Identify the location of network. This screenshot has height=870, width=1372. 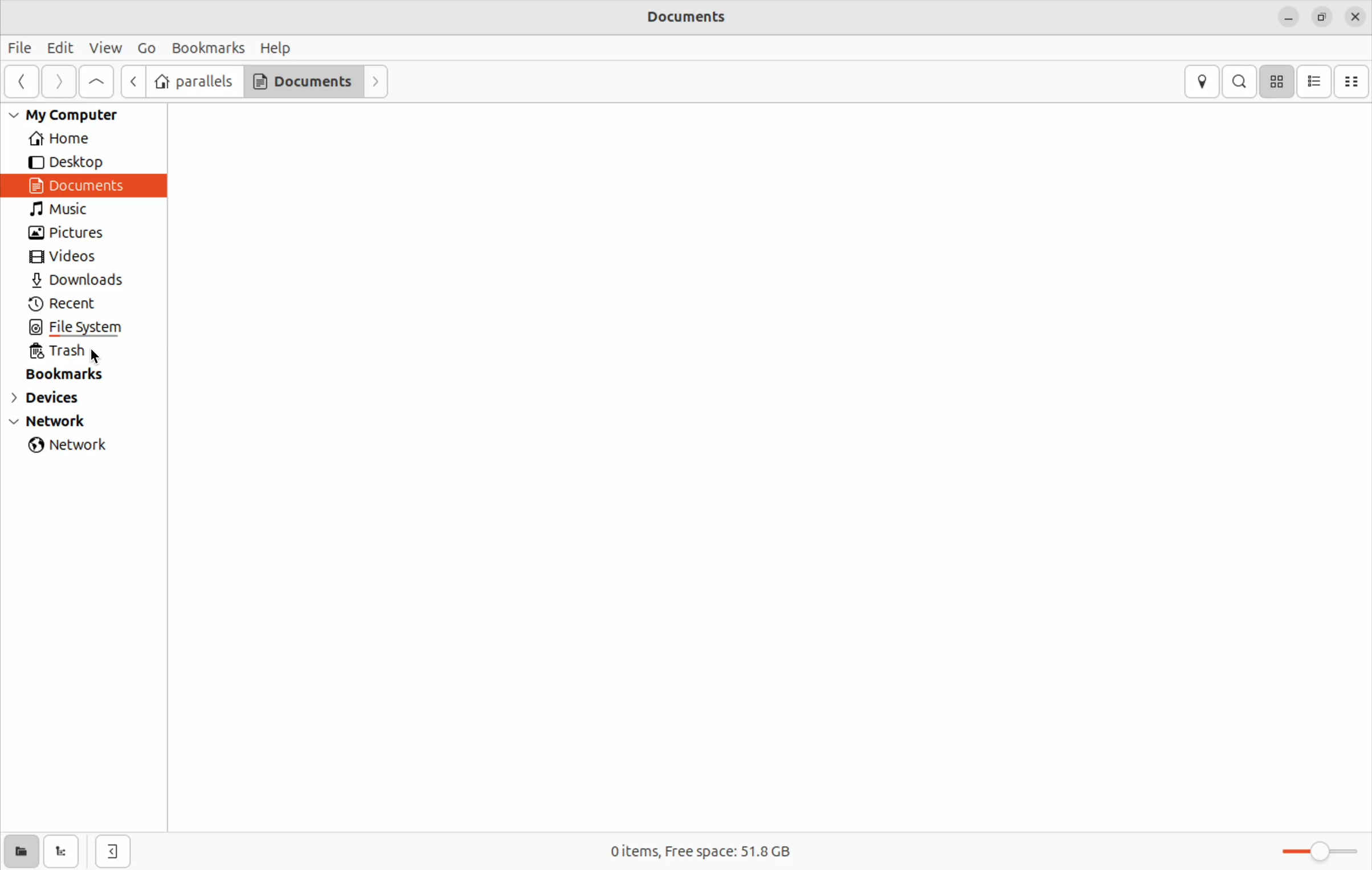
(74, 447).